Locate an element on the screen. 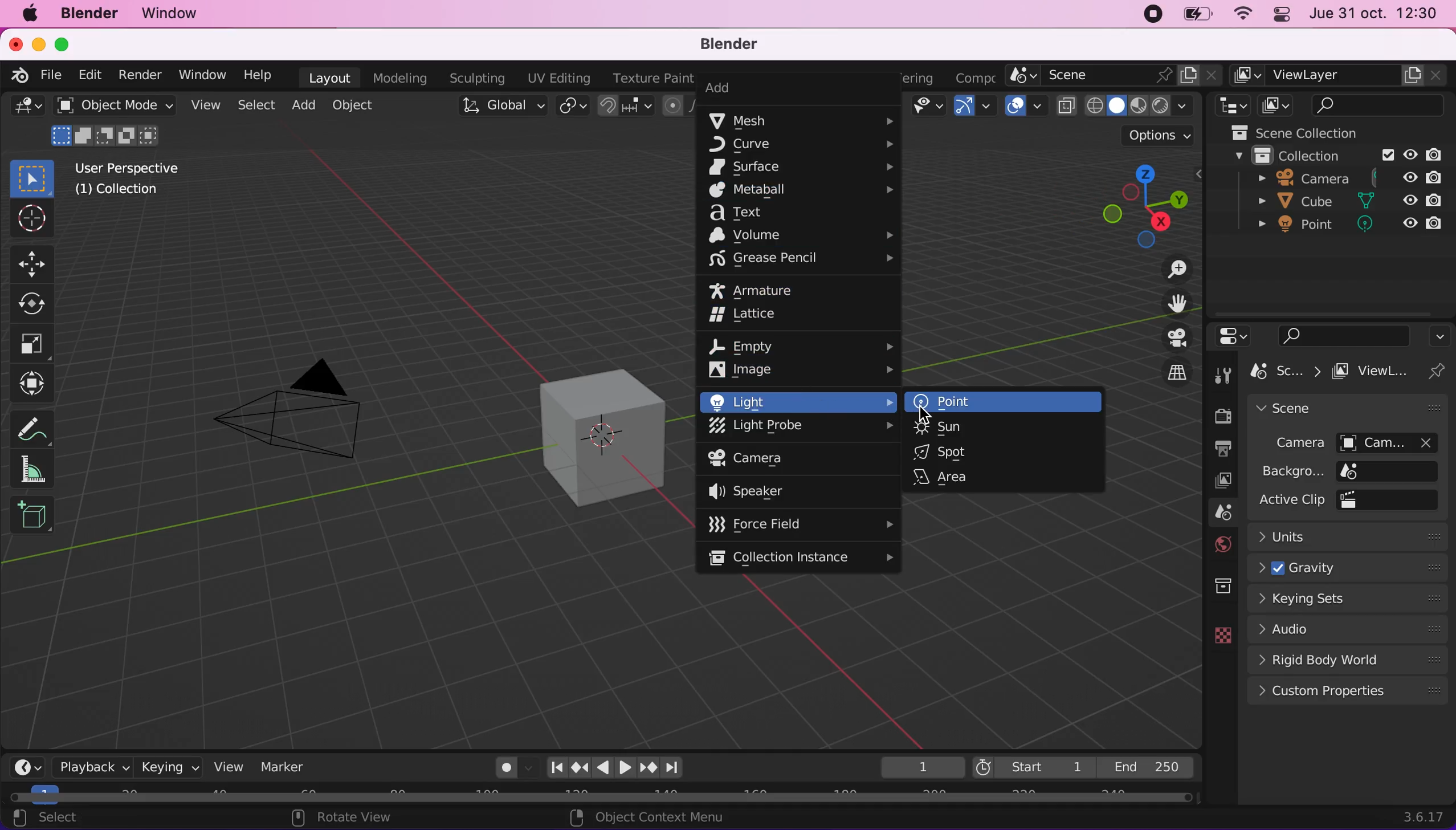 The height and width of the screenshot is (830, 1456). scene collection is located at coordinates (1290, 132).